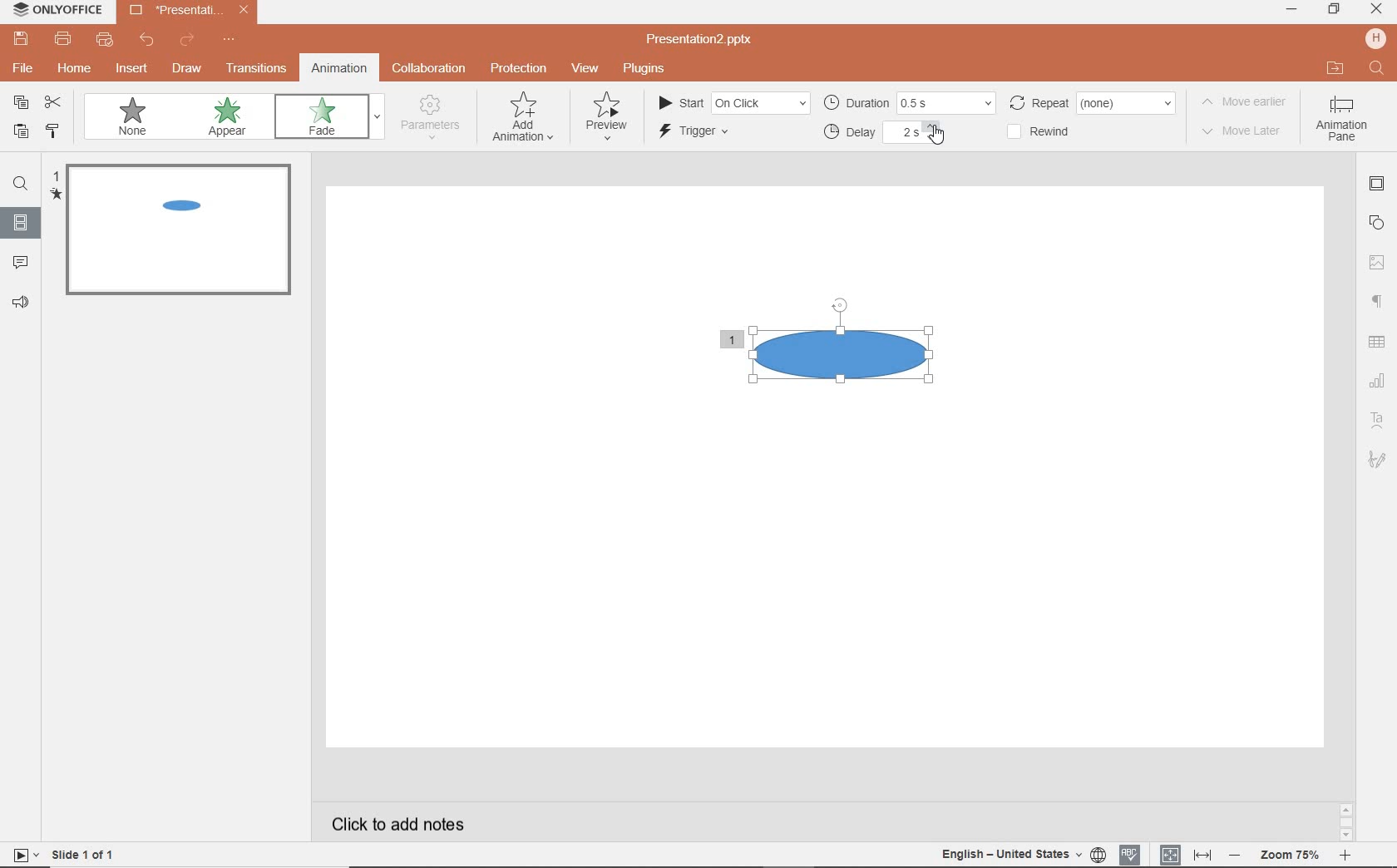 The height and width of the screenshot is (868, 1397). Describe the element at coordinates (1290, 11) in the screenshot. I see `MINIMIZE` at that location.